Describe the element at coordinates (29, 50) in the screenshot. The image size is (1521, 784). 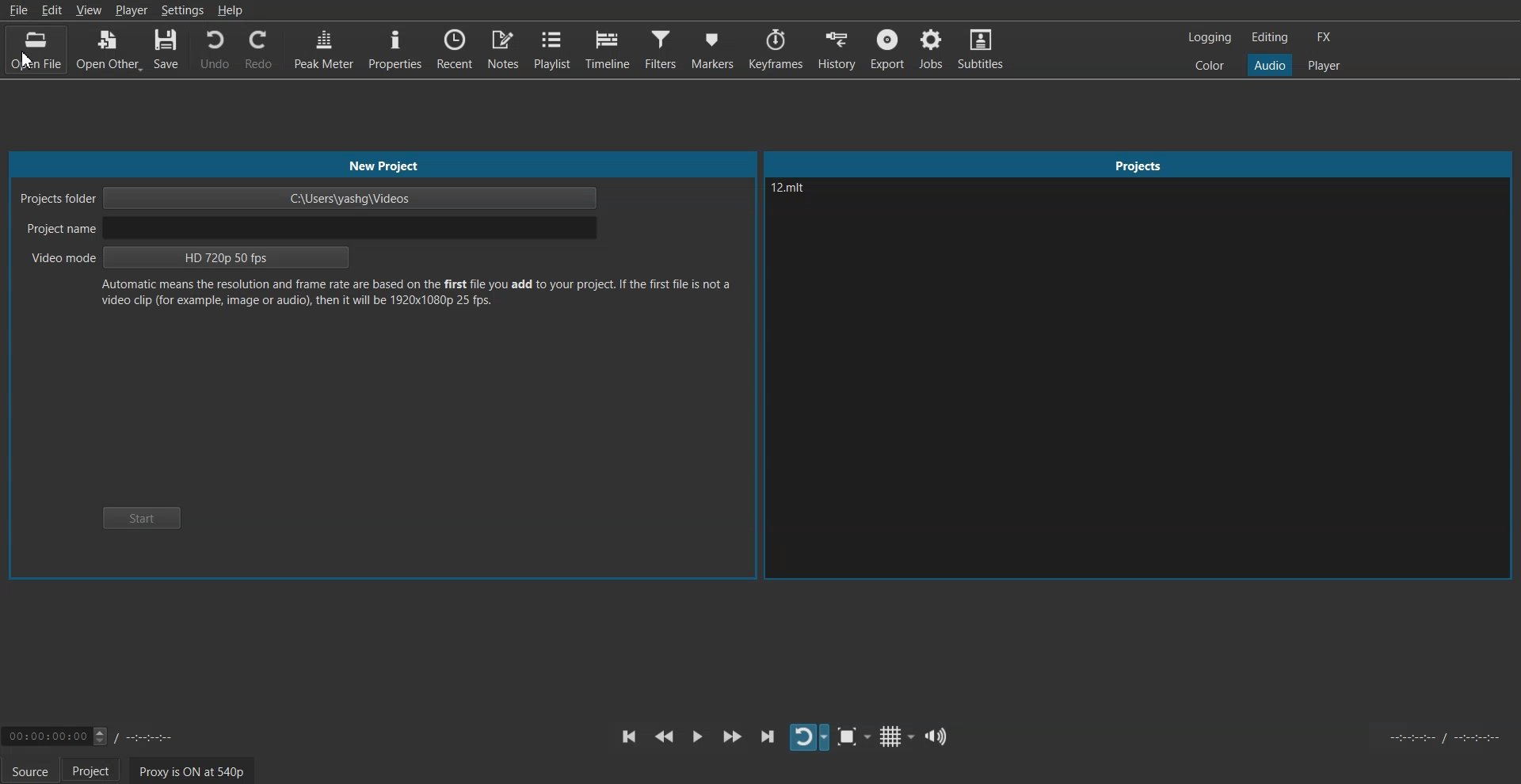
I see `Open File` at that location.